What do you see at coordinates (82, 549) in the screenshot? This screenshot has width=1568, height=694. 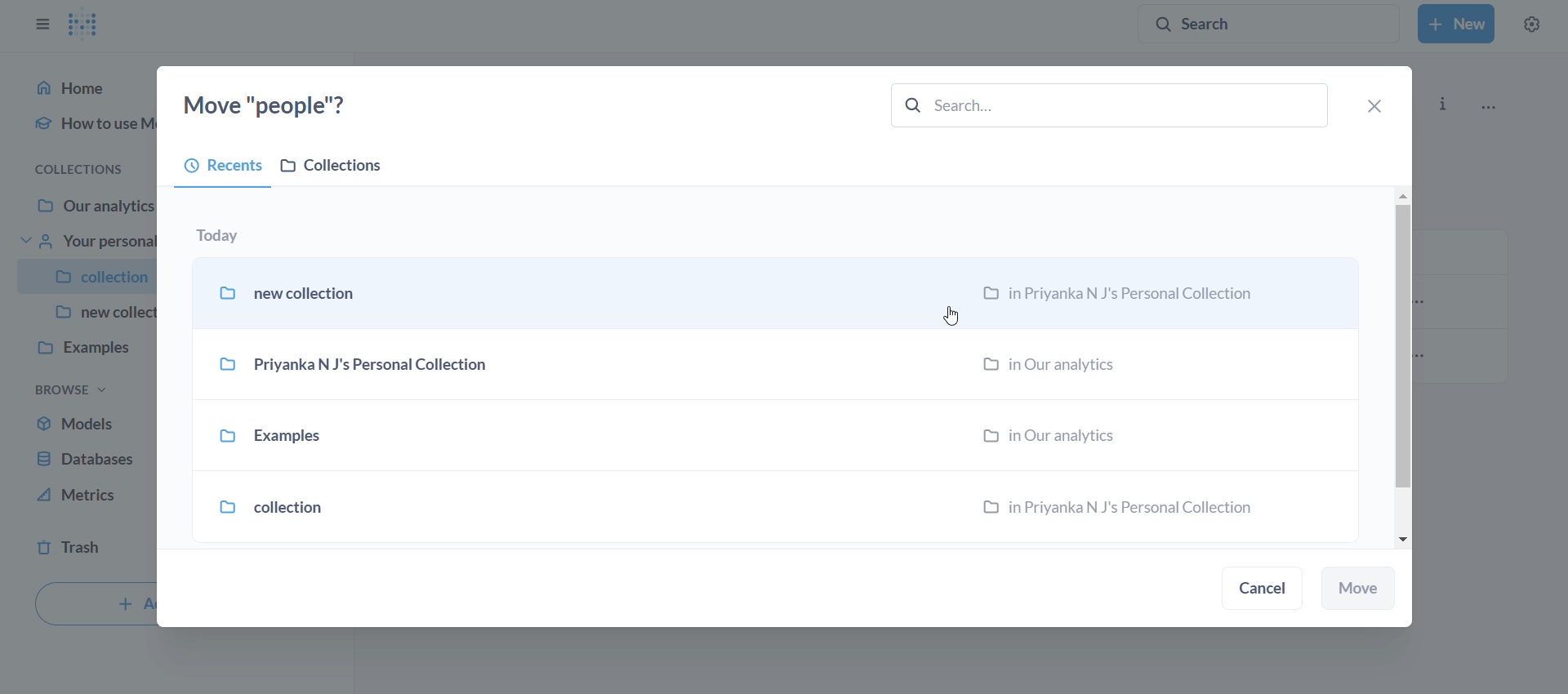 I see `trash` at bounding box center [82, 549].